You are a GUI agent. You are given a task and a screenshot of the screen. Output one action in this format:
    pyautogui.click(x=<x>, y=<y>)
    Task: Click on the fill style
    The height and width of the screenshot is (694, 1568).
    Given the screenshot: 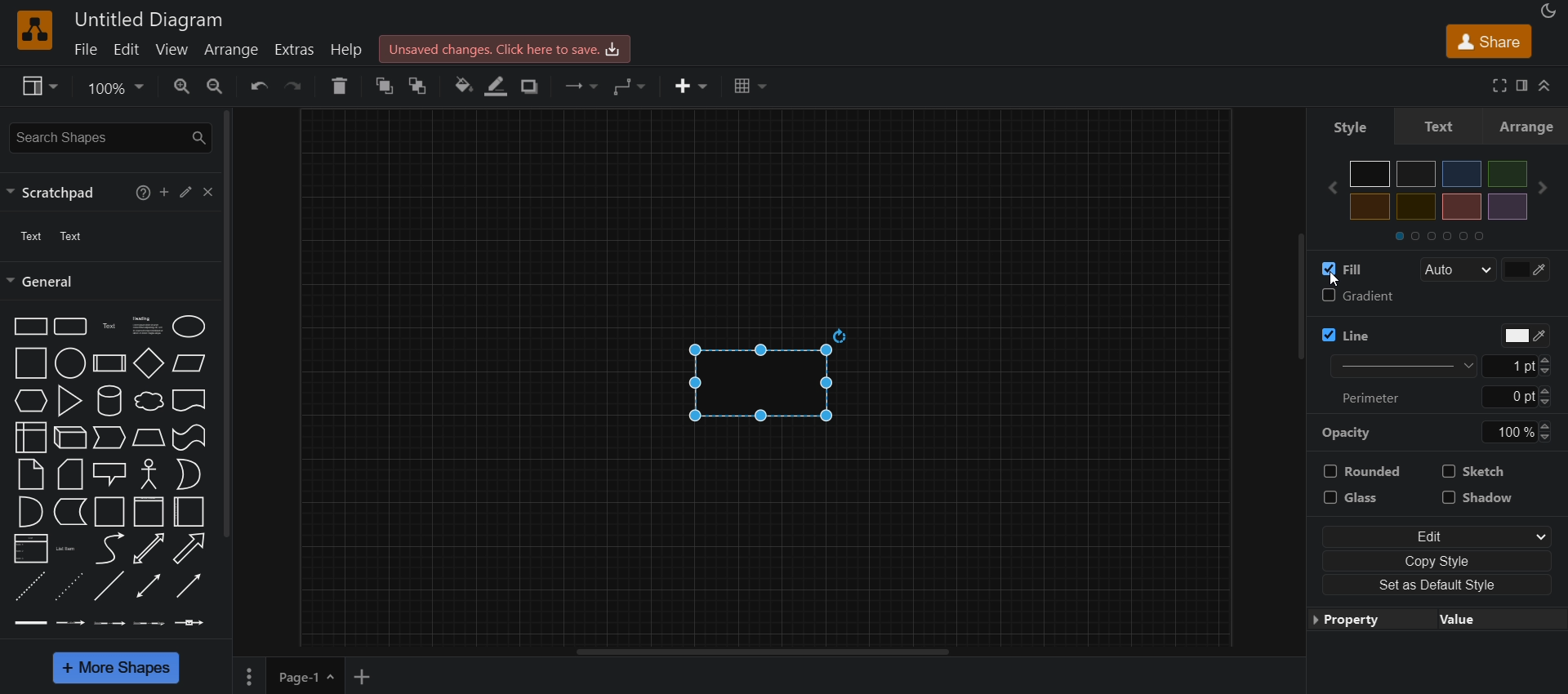 What is the action you would take?
    pyautogui.click(x=1456, y=269)
    